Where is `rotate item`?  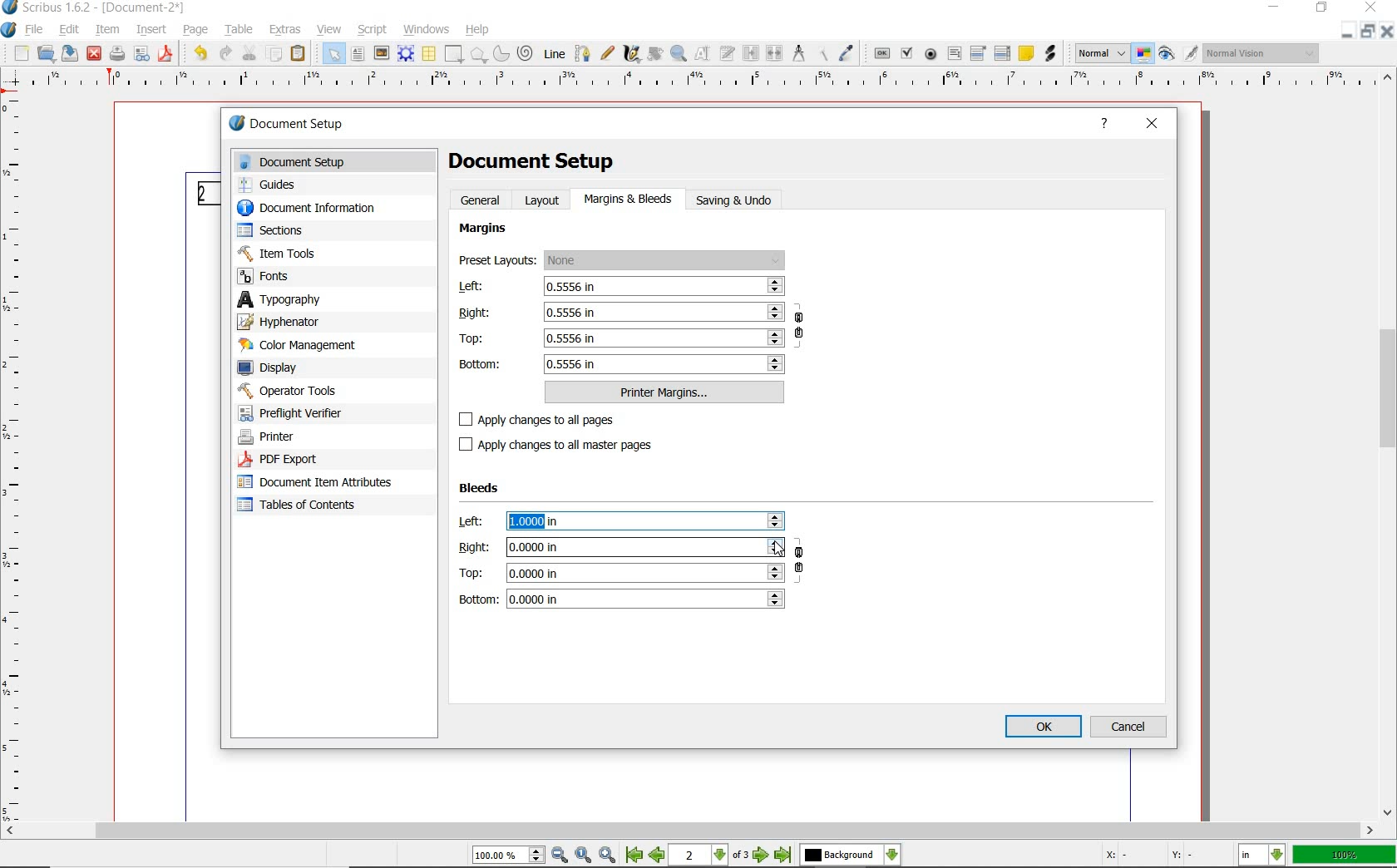 rotate item is located at coordinates (654, 53).